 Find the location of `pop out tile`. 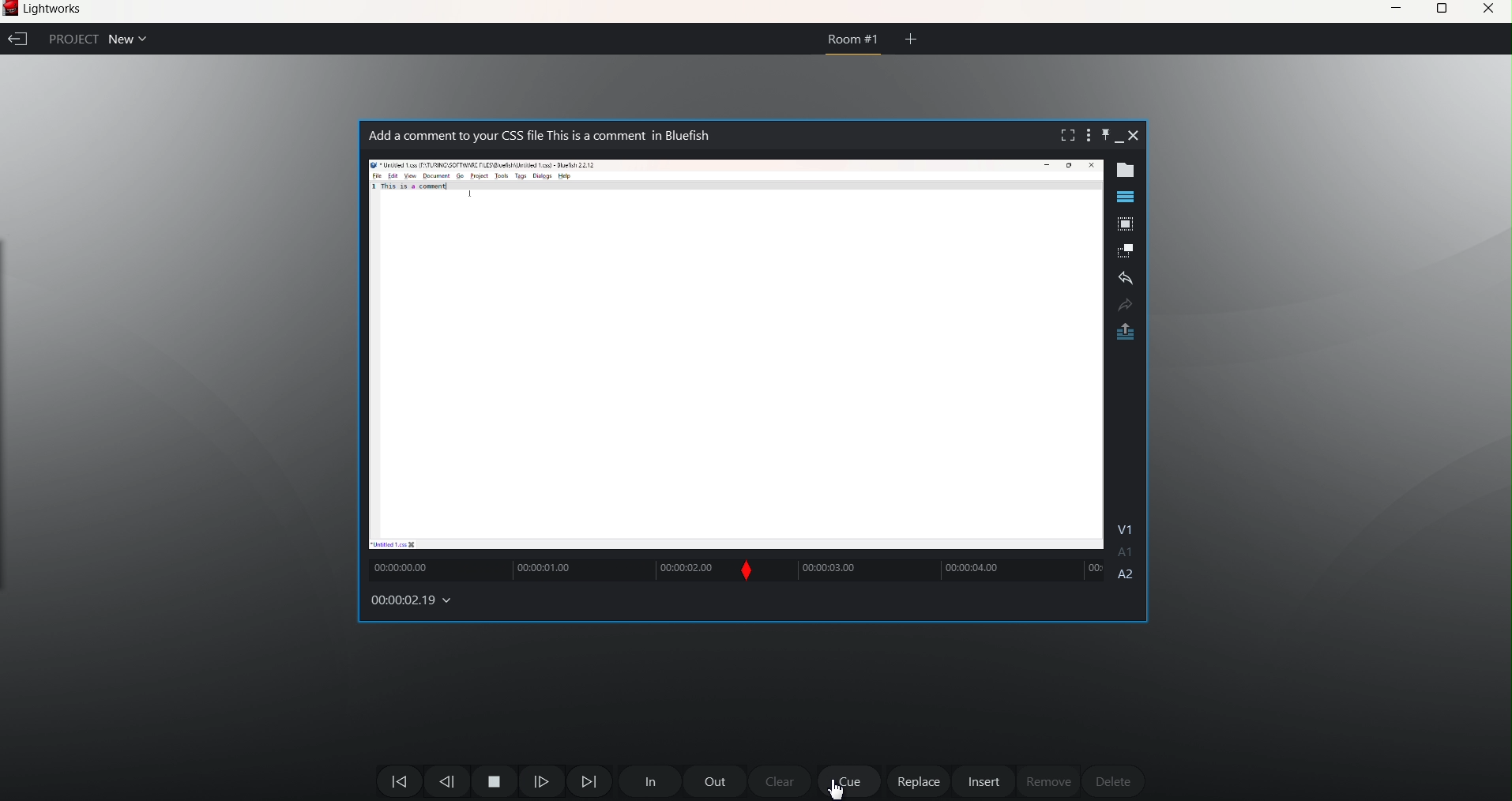

pop out tile is located at coordinates (1124, 226).